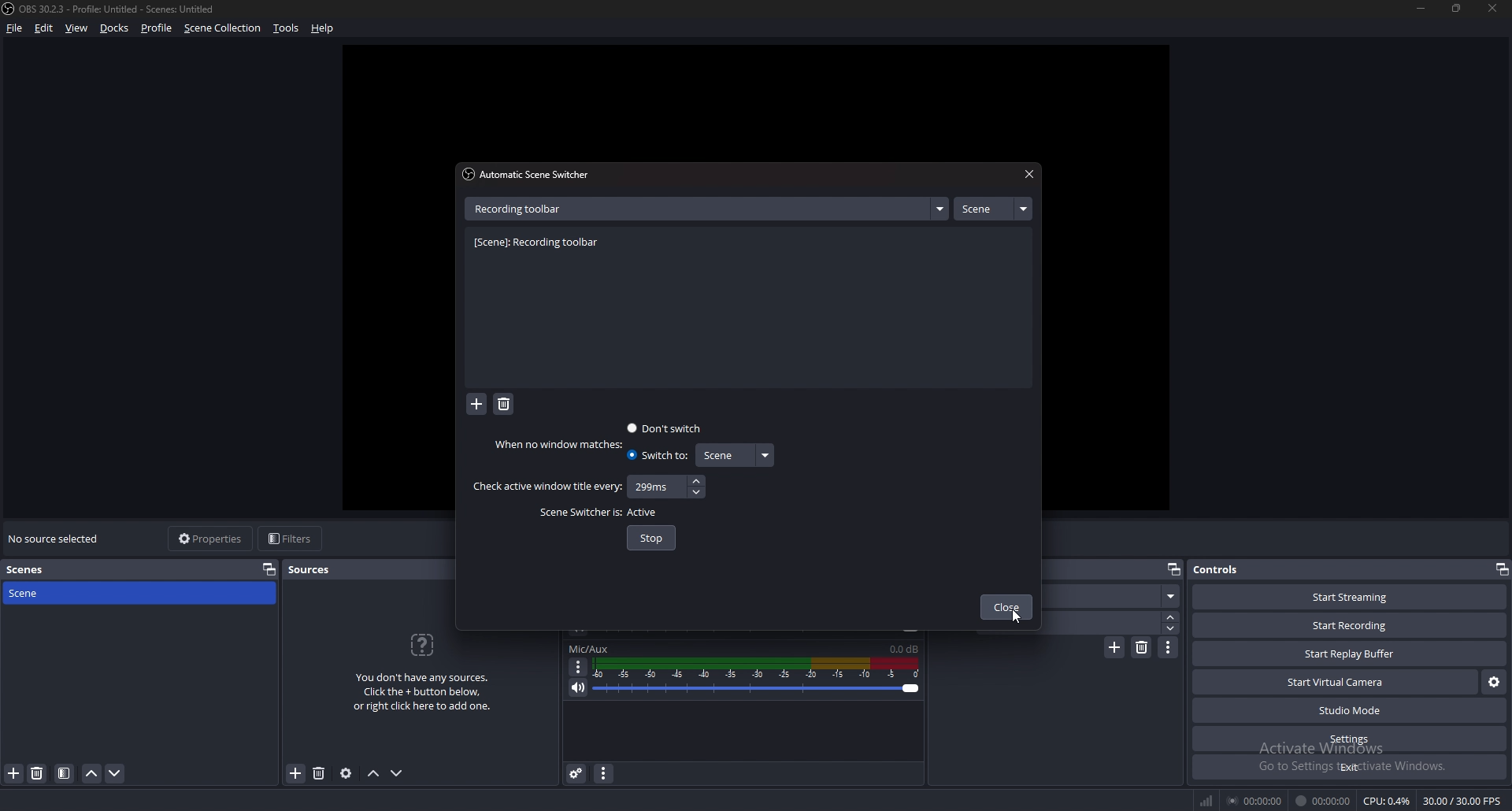 The image size is (1512, 811). Describe the element at coordinates (1351, 739) in the screenshot. I see `settings` at that location.